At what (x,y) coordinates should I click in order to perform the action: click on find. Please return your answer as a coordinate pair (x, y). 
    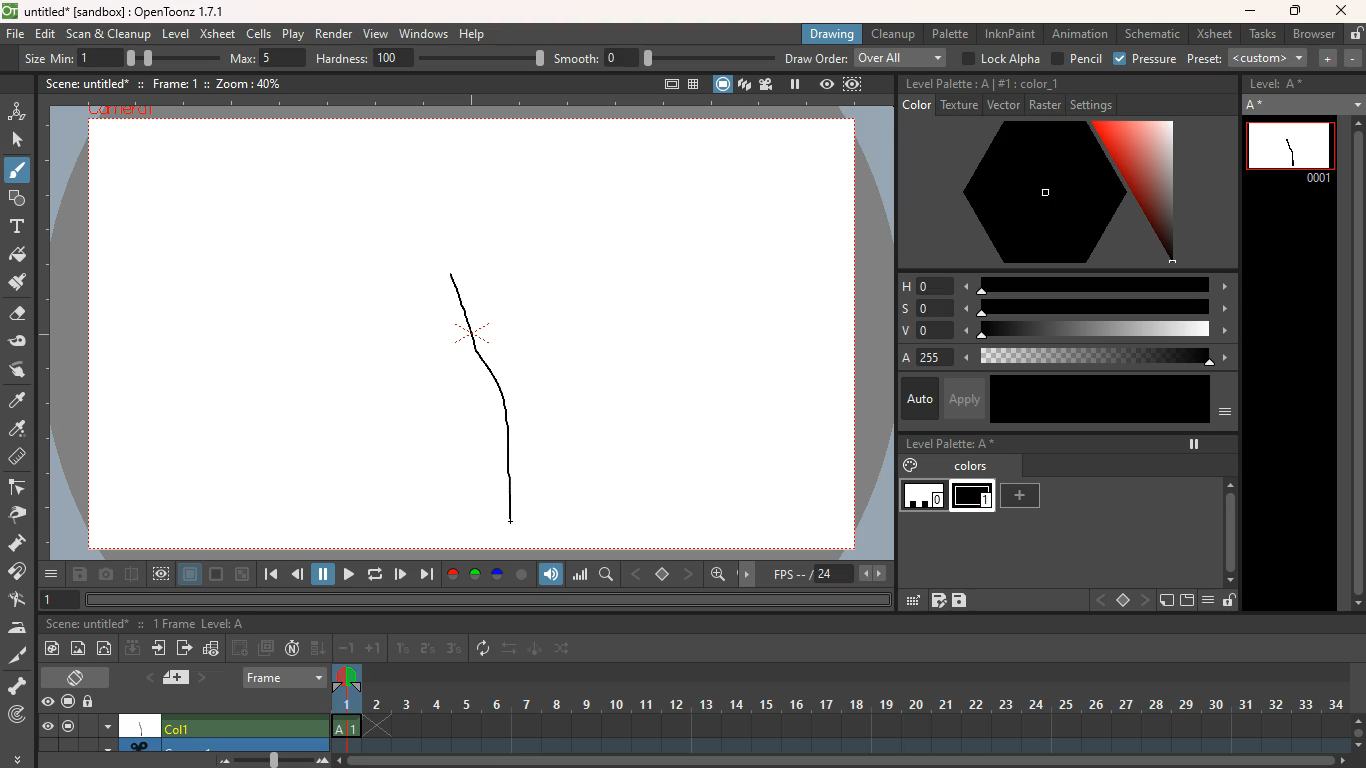
    Looking at the image, I should click on (720, 577).